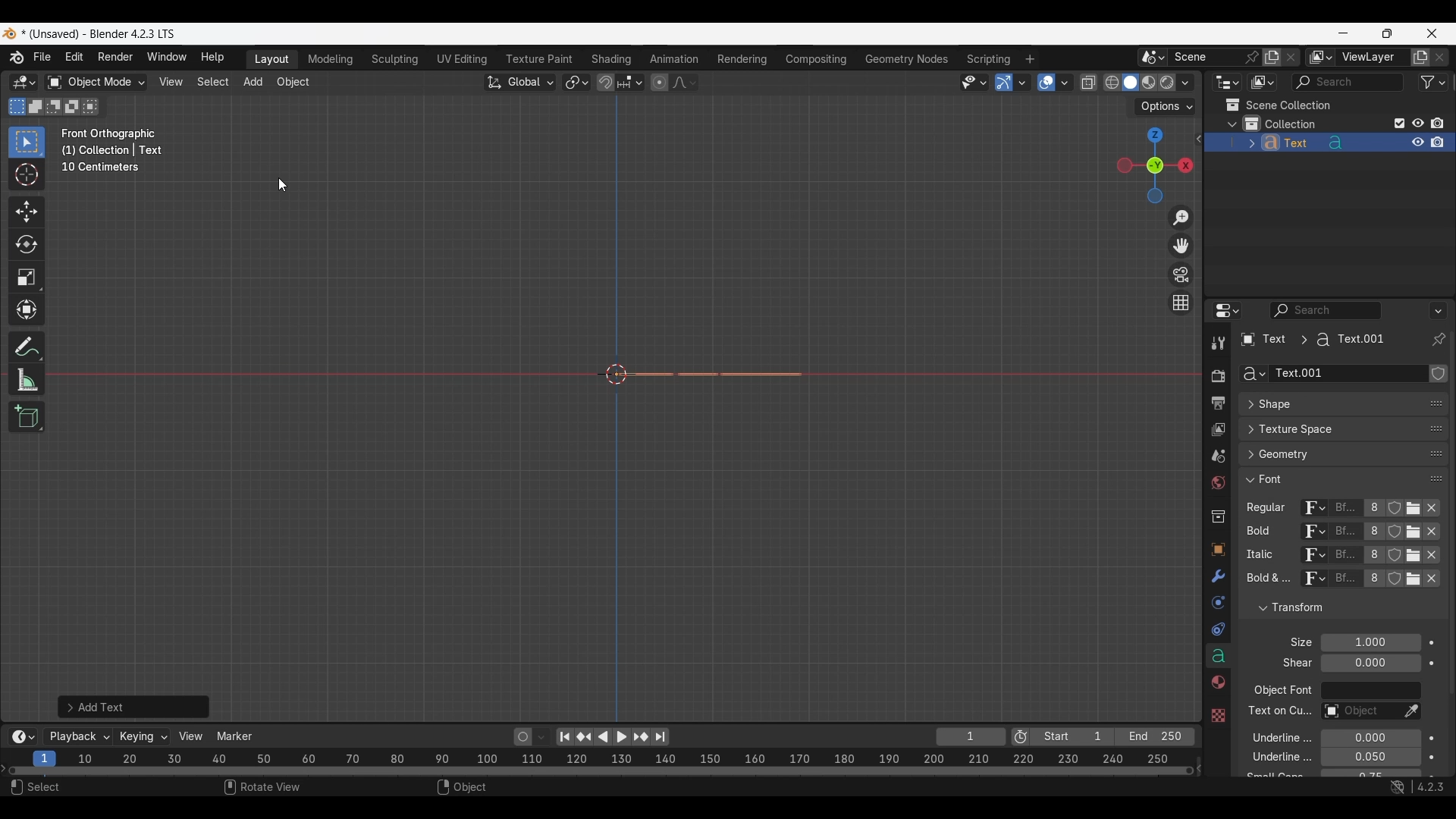 The width and height of the screenshot is (1456, 819). I want to click on Scripting workspace, so click(987, 58).